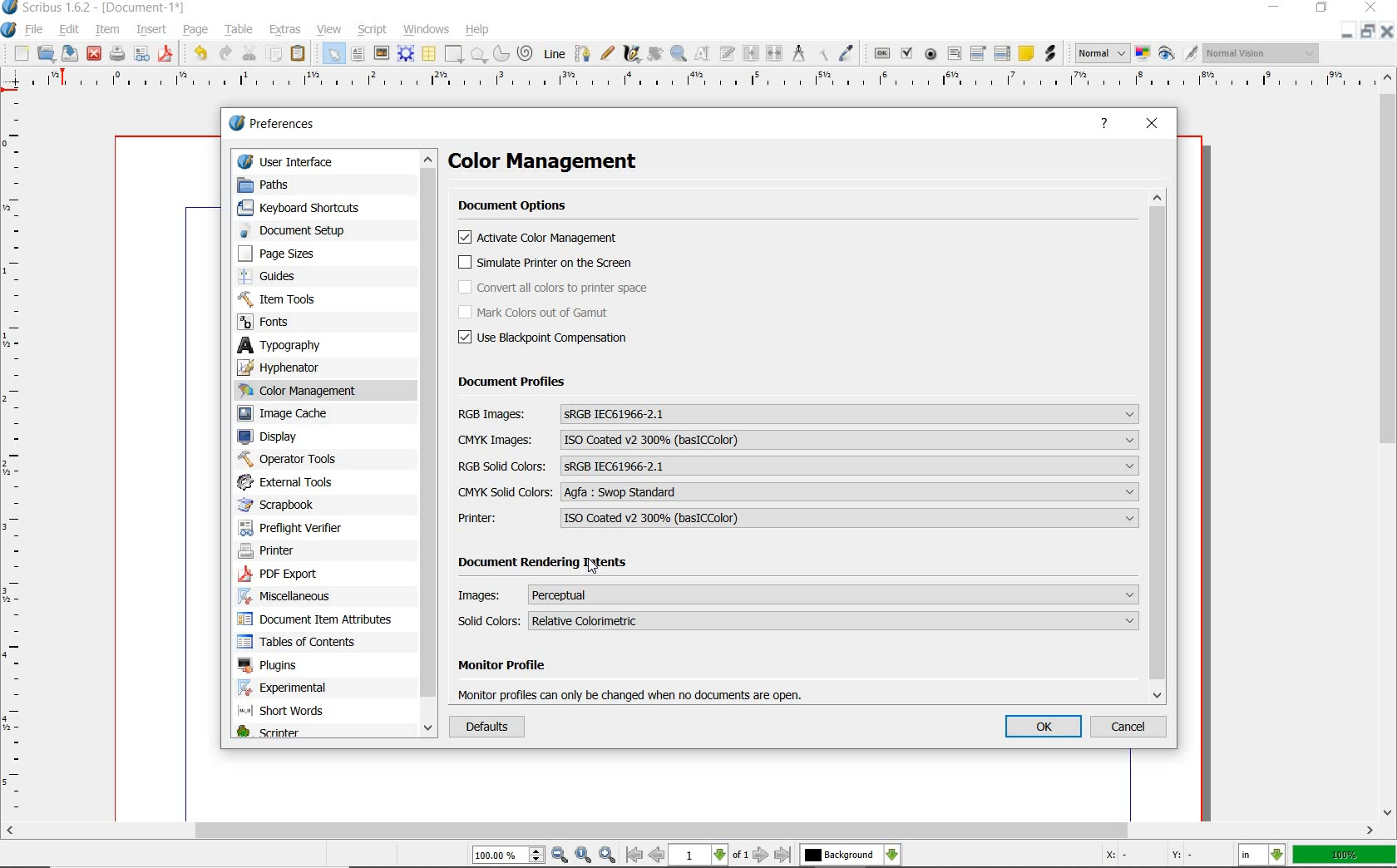 Image resolution: width=1397 pixels, height=868 pixels. What do you see at coordinates (302, 415) in the screenshot?
I see `image cache` at bounding box center [302, 415].